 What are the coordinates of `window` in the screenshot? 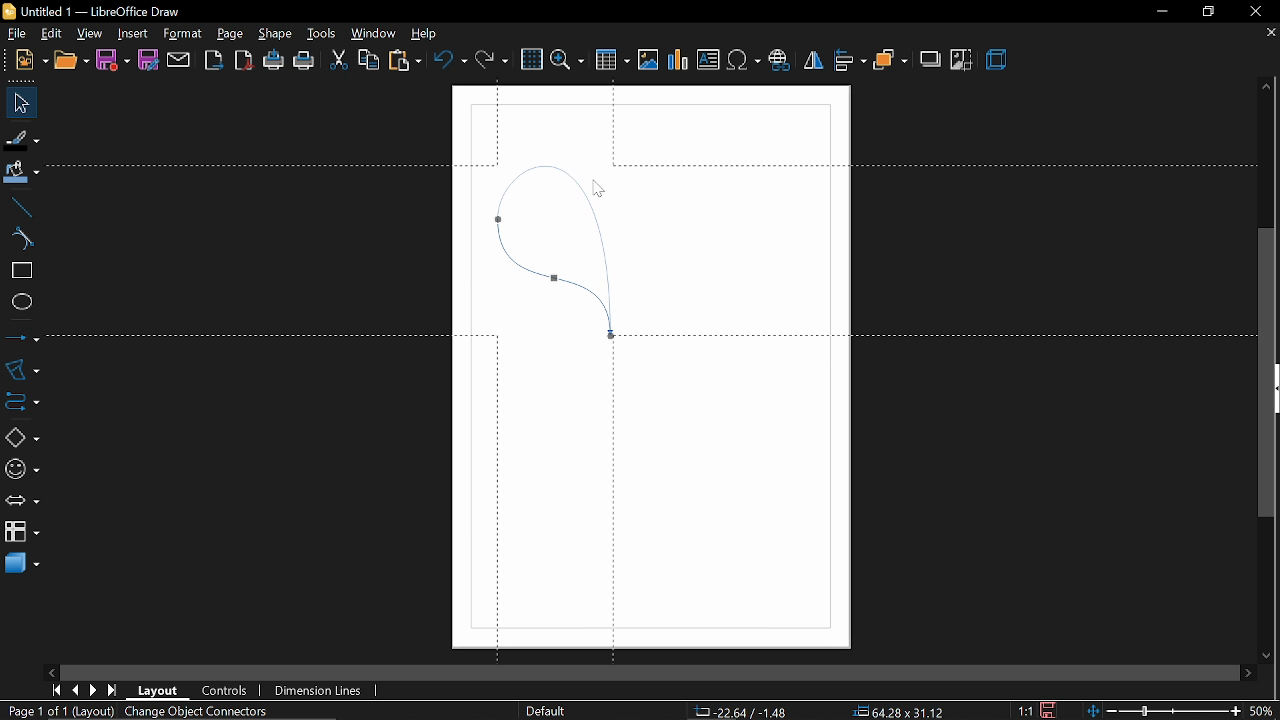 It's located at (371, 34).